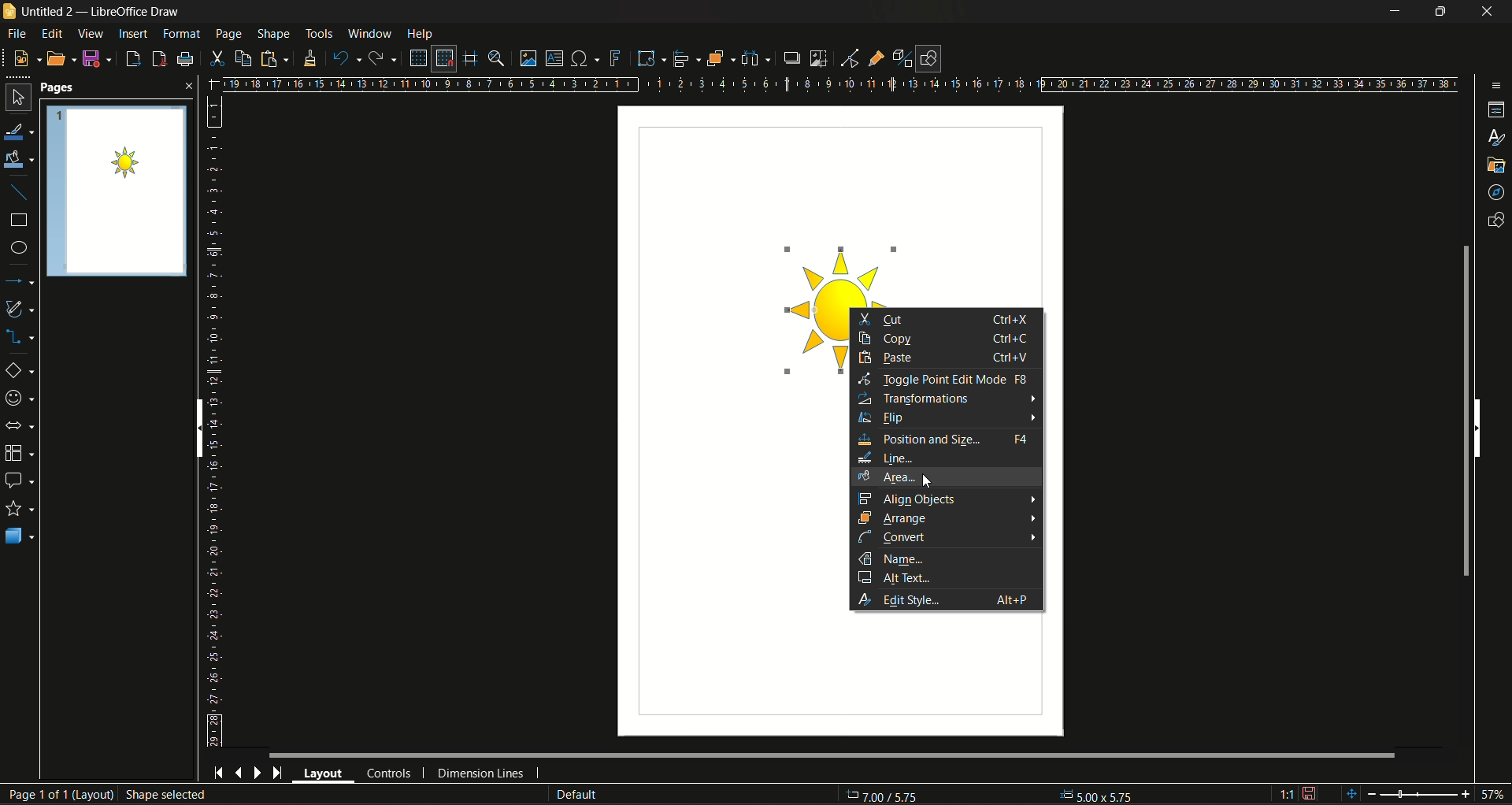  I want to click on ctrl+x, so click(1008, 319).